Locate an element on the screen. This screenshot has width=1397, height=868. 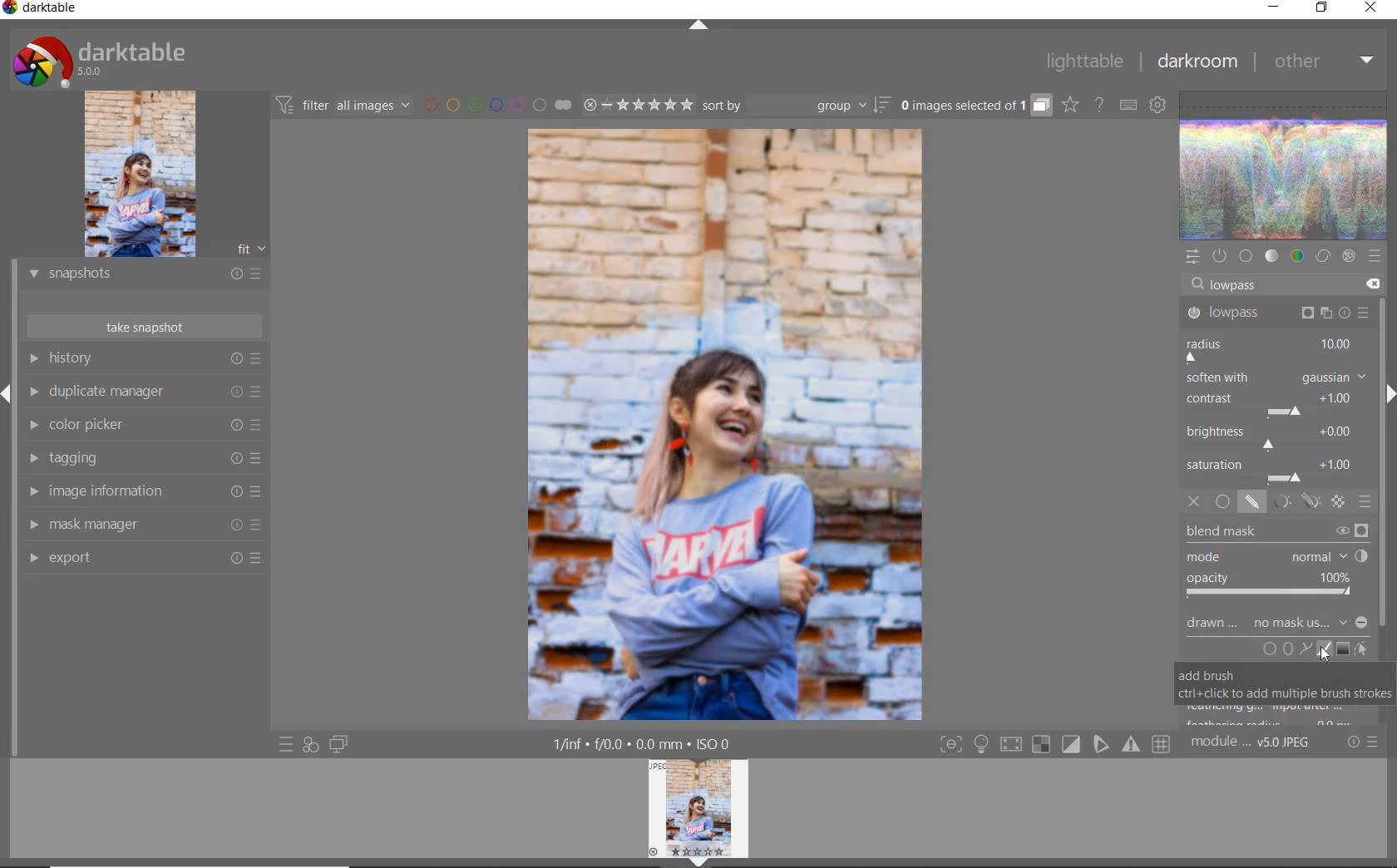
tagging is located at coordinates (144, 460).